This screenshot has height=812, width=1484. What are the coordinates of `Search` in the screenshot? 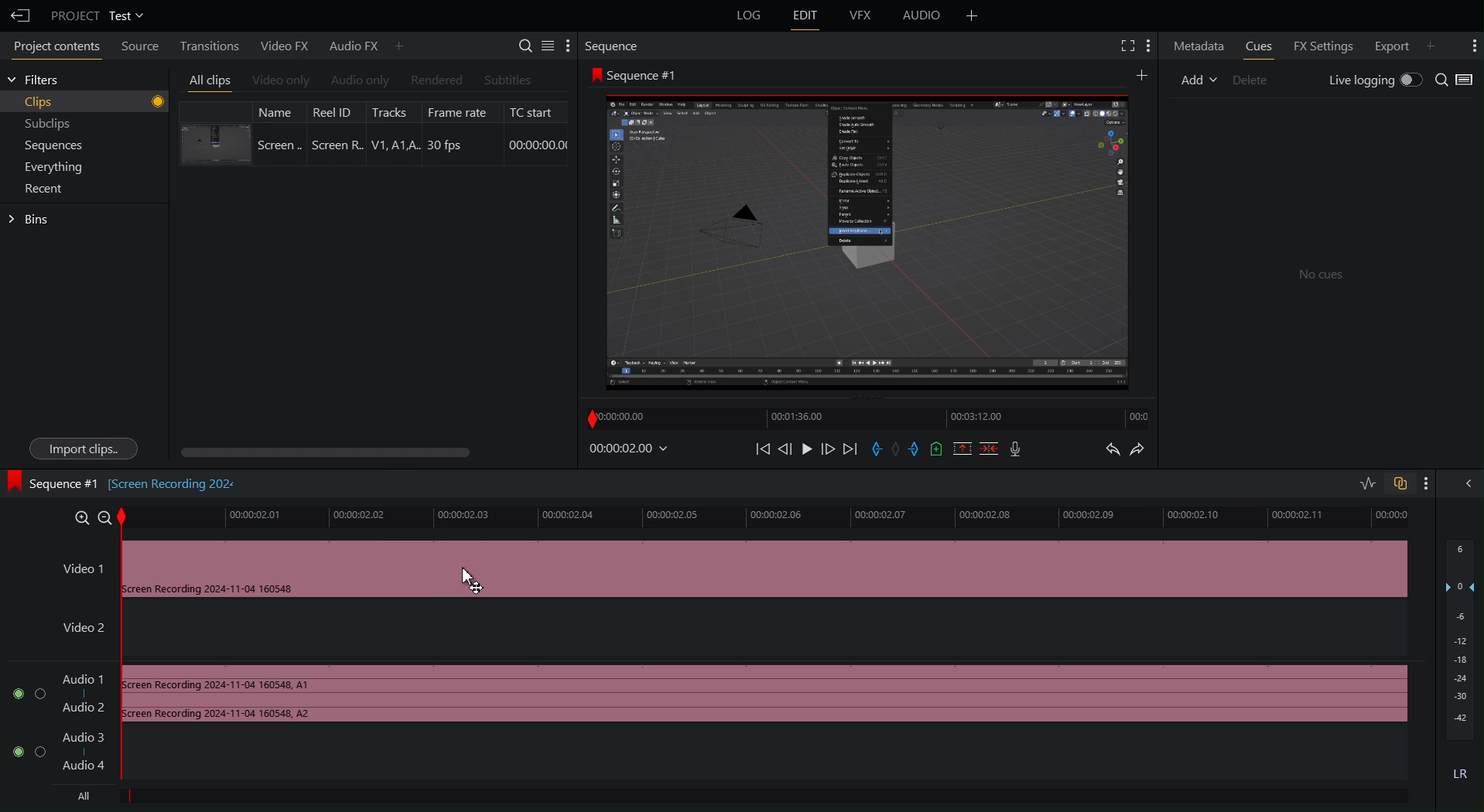 It's located at (1457, 80).